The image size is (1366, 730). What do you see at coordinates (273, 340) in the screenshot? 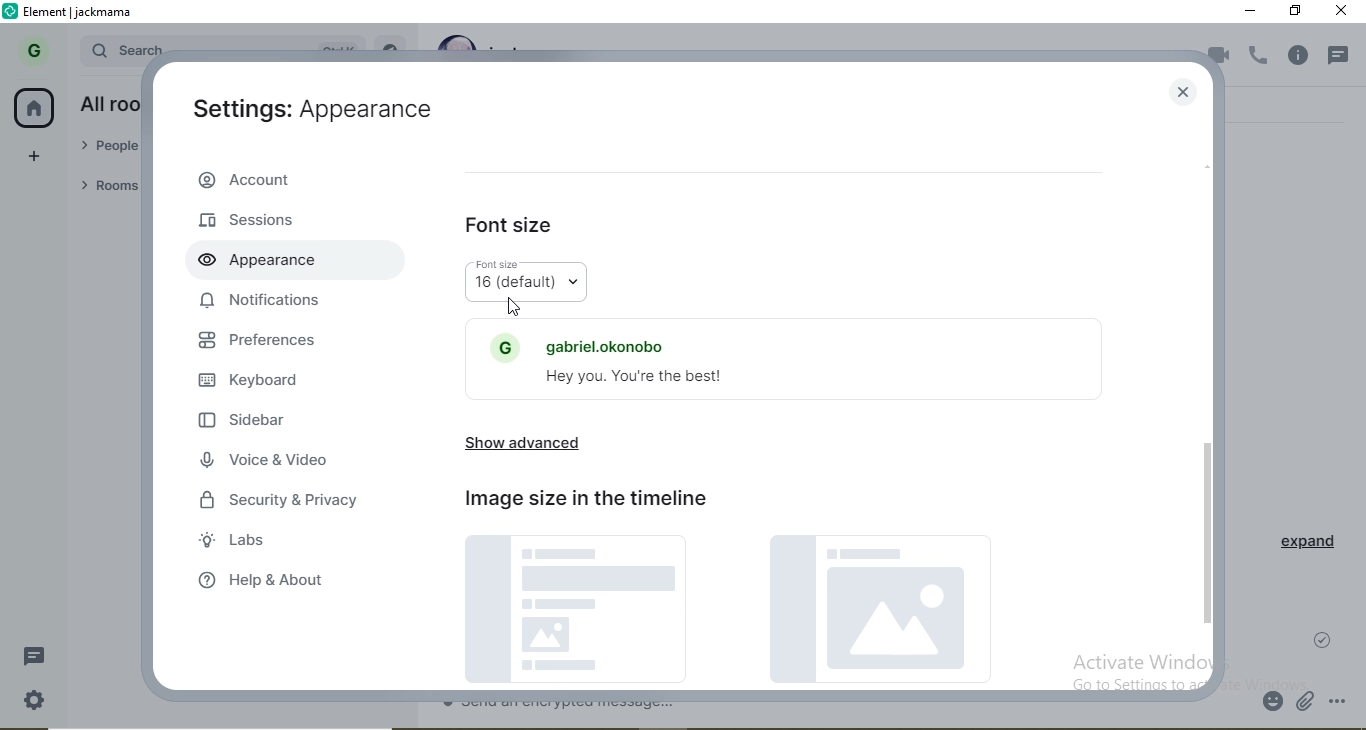
I see `preferences` at bounding box center [273, 340].